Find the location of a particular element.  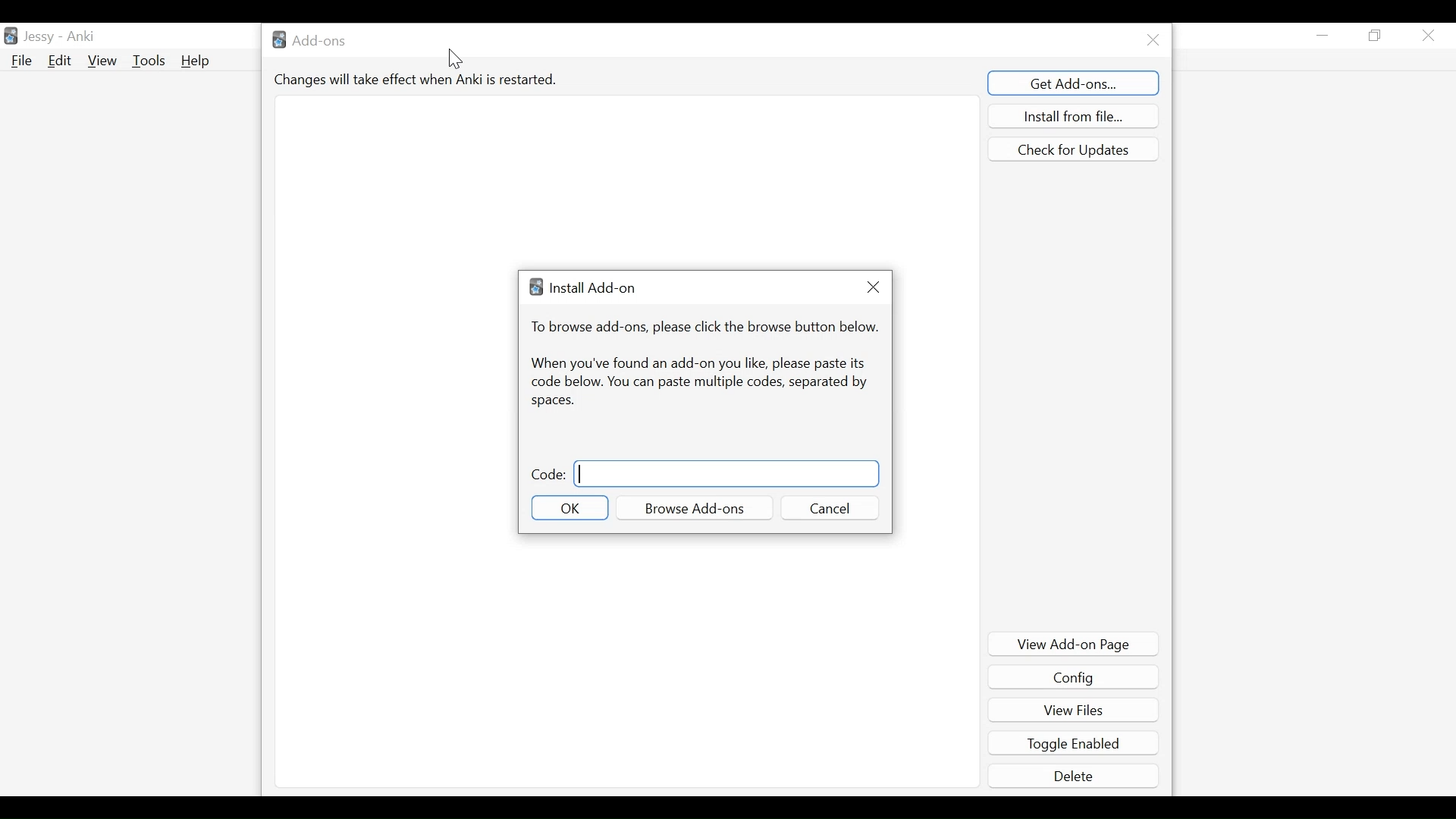

View Files is located at coordinates (1073, 708).